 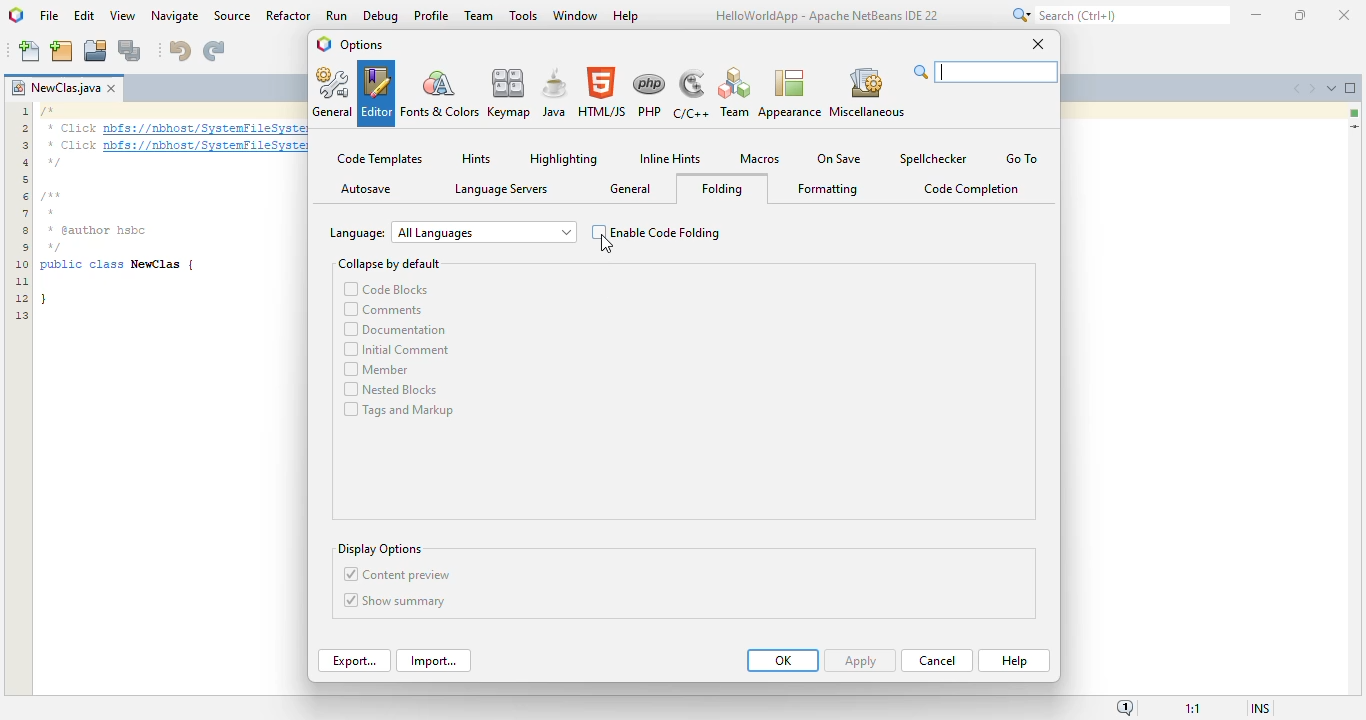 What do you see at coordinates (367, 188) in the screenshot?
I see `autosave` at bounding box center [367, 188].